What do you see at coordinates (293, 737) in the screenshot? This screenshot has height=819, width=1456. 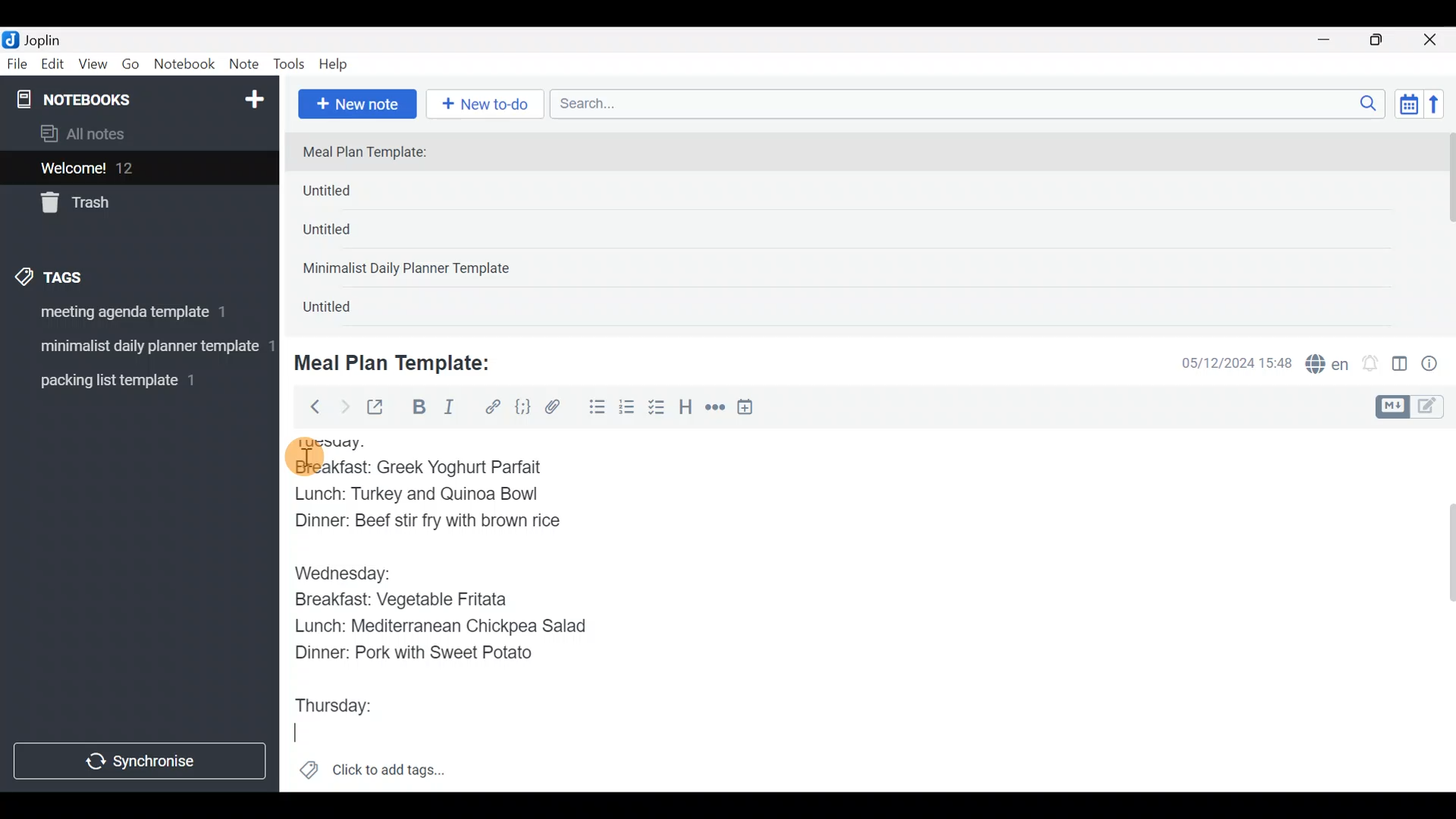 I see `text Cursor` at bounding box center [293, 737].